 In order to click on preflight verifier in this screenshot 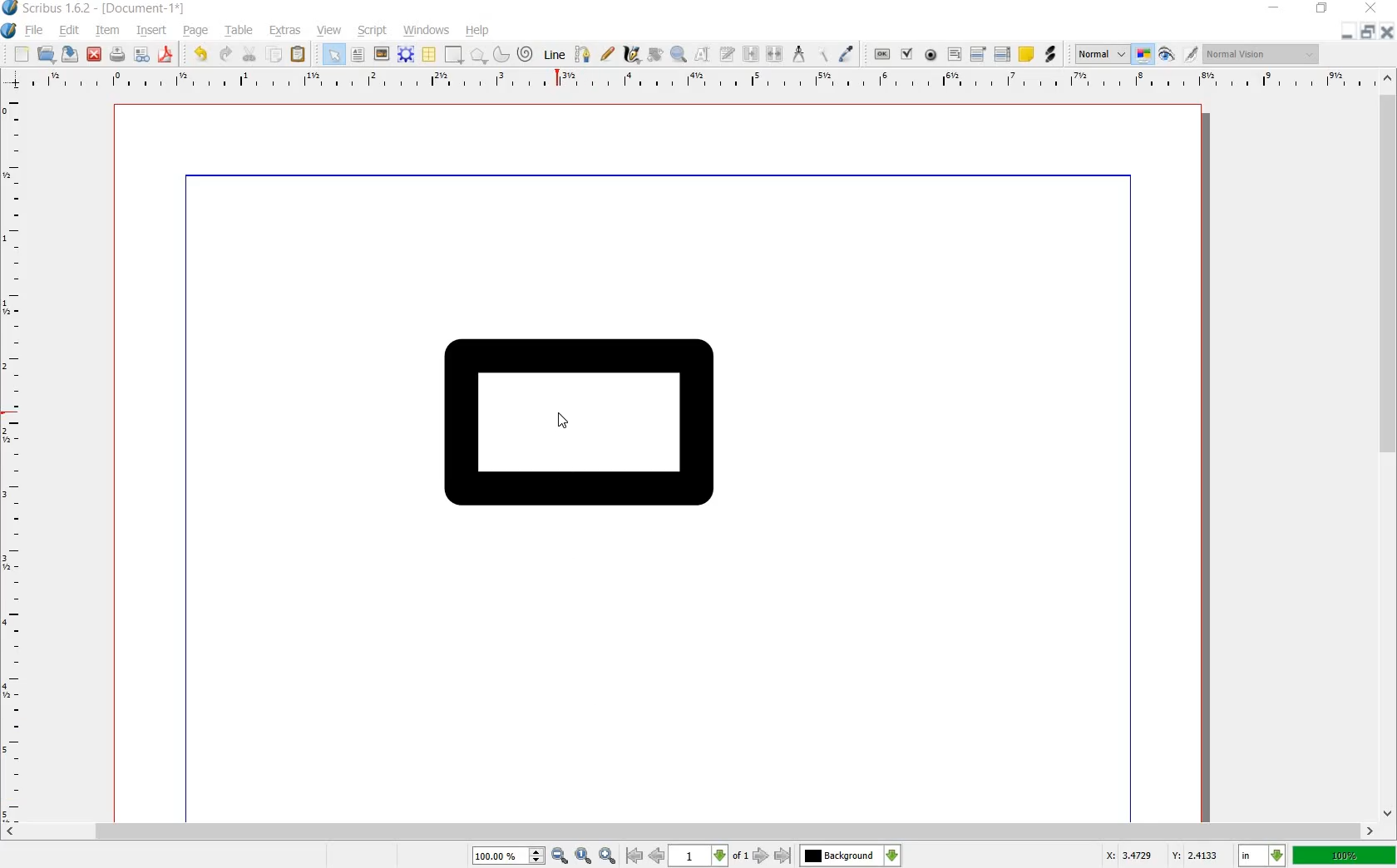, I will do `click(141, 55)`.